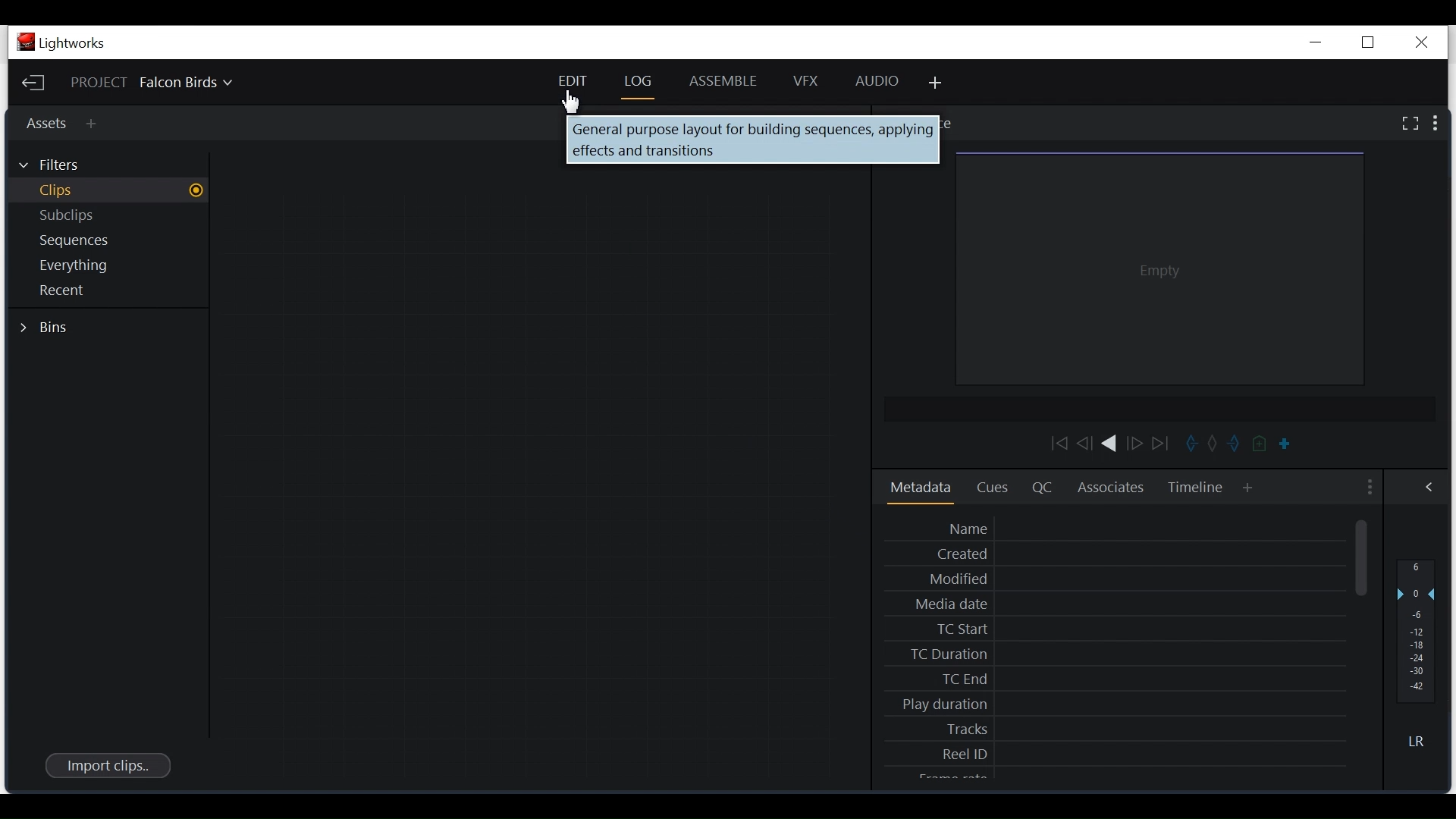 This screenshot has height=819, width=1456. I want to click on Bins, so click(47, 329).